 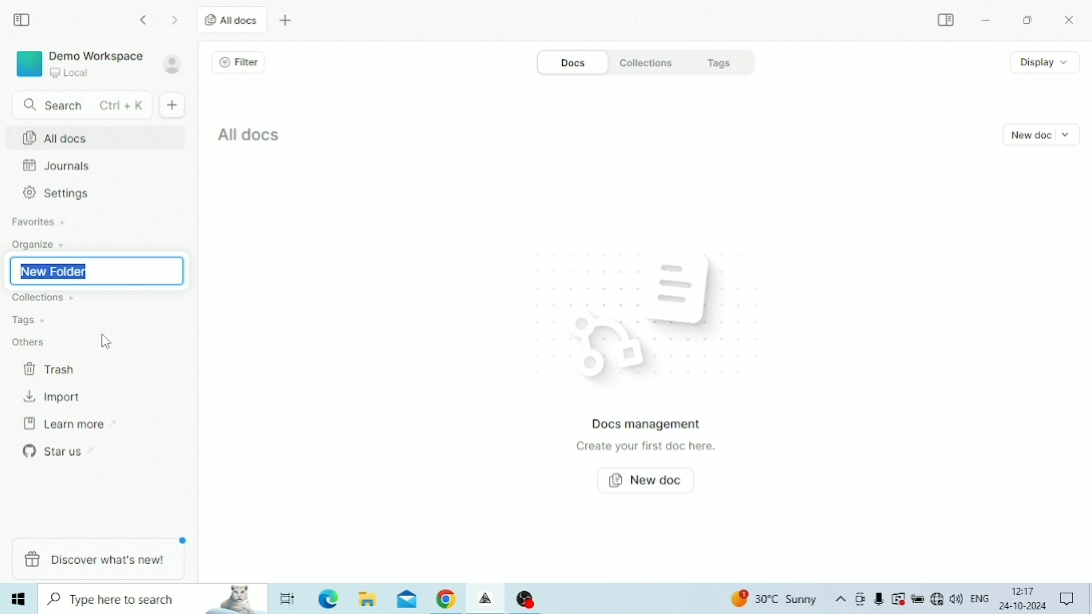 I want to click on Organize, so click(x=39, y=245).